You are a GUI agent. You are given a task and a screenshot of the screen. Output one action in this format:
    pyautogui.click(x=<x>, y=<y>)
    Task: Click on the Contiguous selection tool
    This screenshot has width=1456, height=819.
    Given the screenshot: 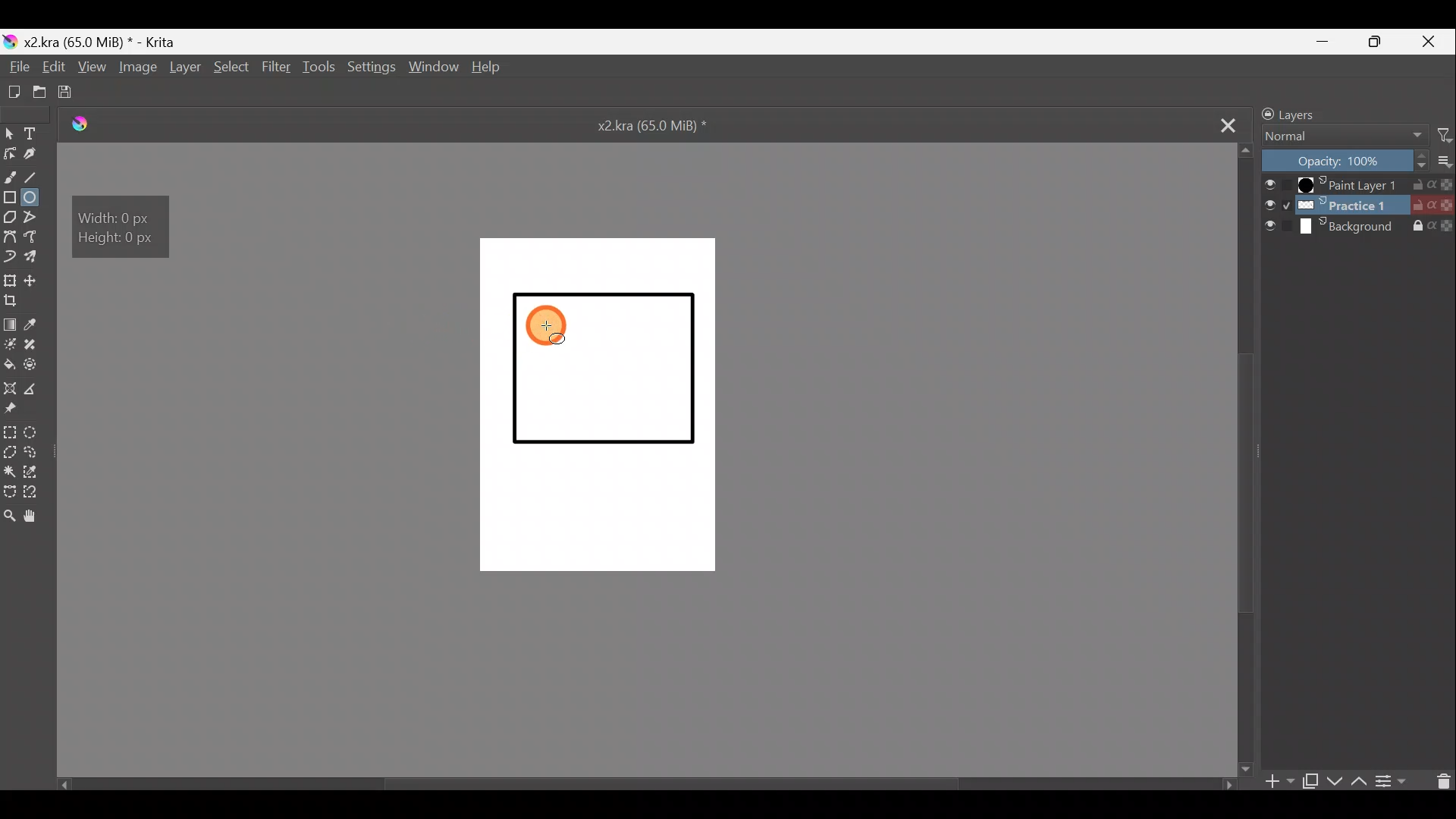 What is the action you would take?
    pyautogui.click(x=9, y=469)
    